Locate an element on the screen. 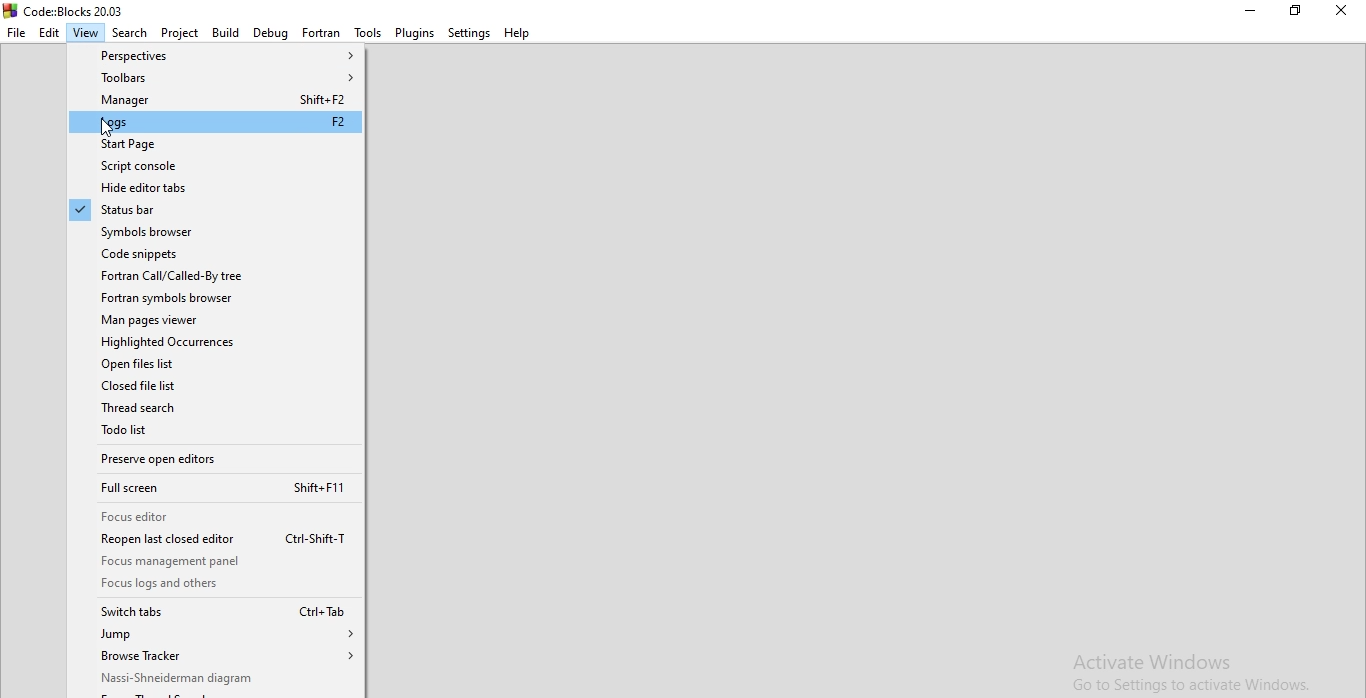 The width and height of the screenshot is (1366, 698). Open files list is located at coordinates (216, 363).